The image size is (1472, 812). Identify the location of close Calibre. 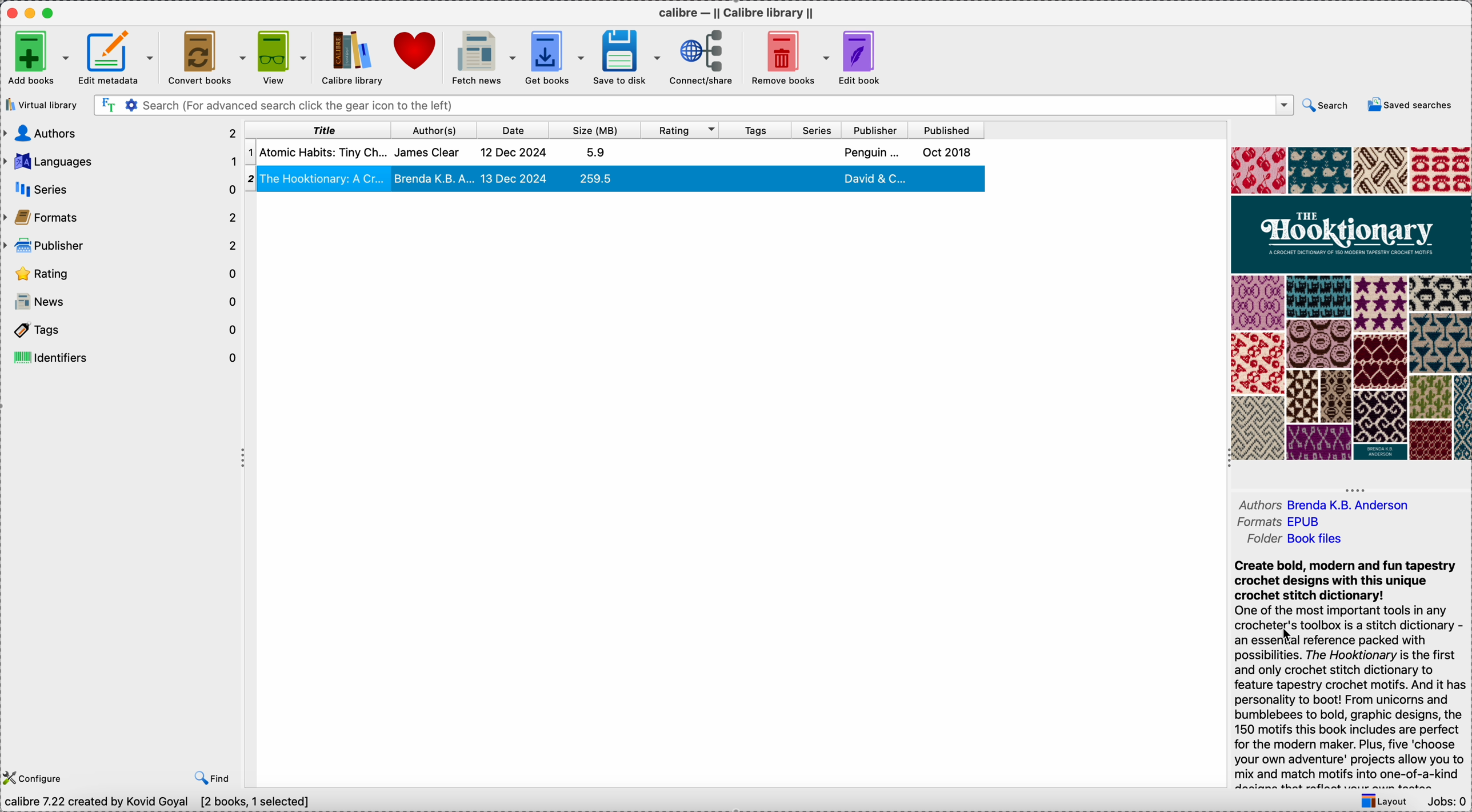
(11, 11).